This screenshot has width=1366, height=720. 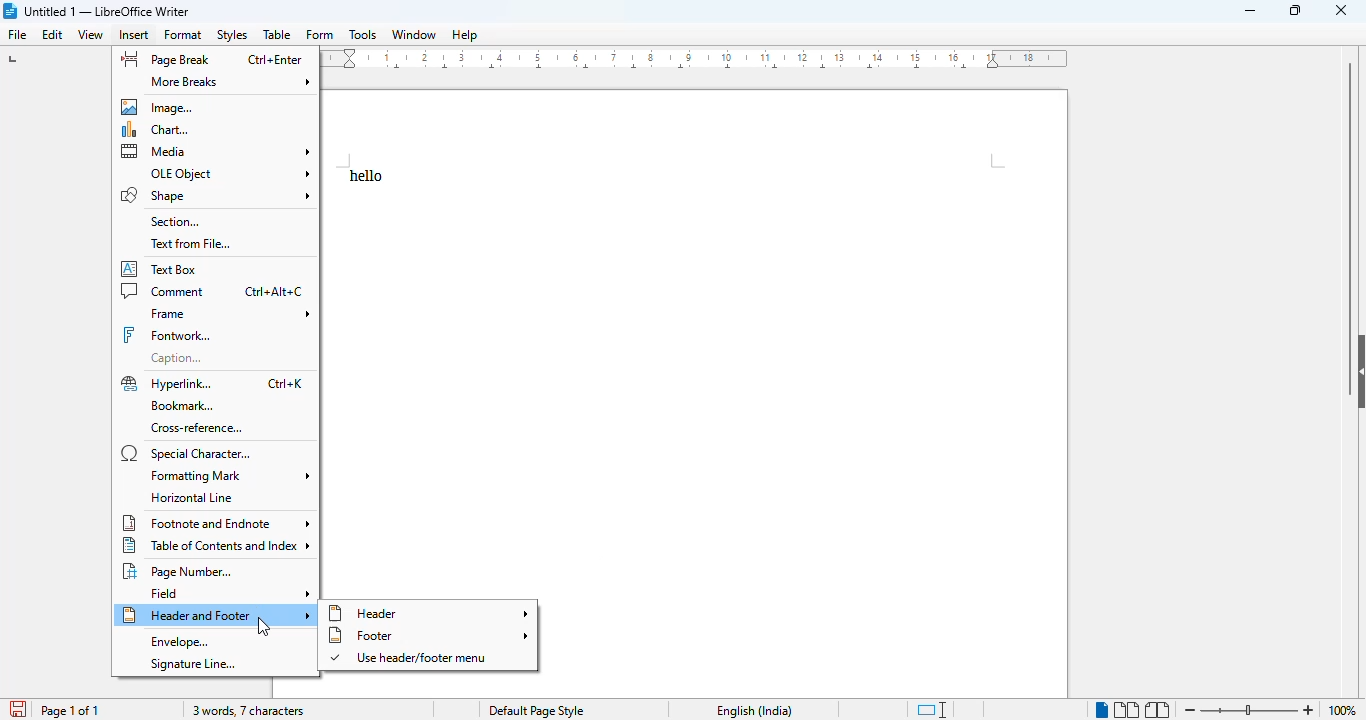 I want to click on book view, so click(x=1158, y=710).